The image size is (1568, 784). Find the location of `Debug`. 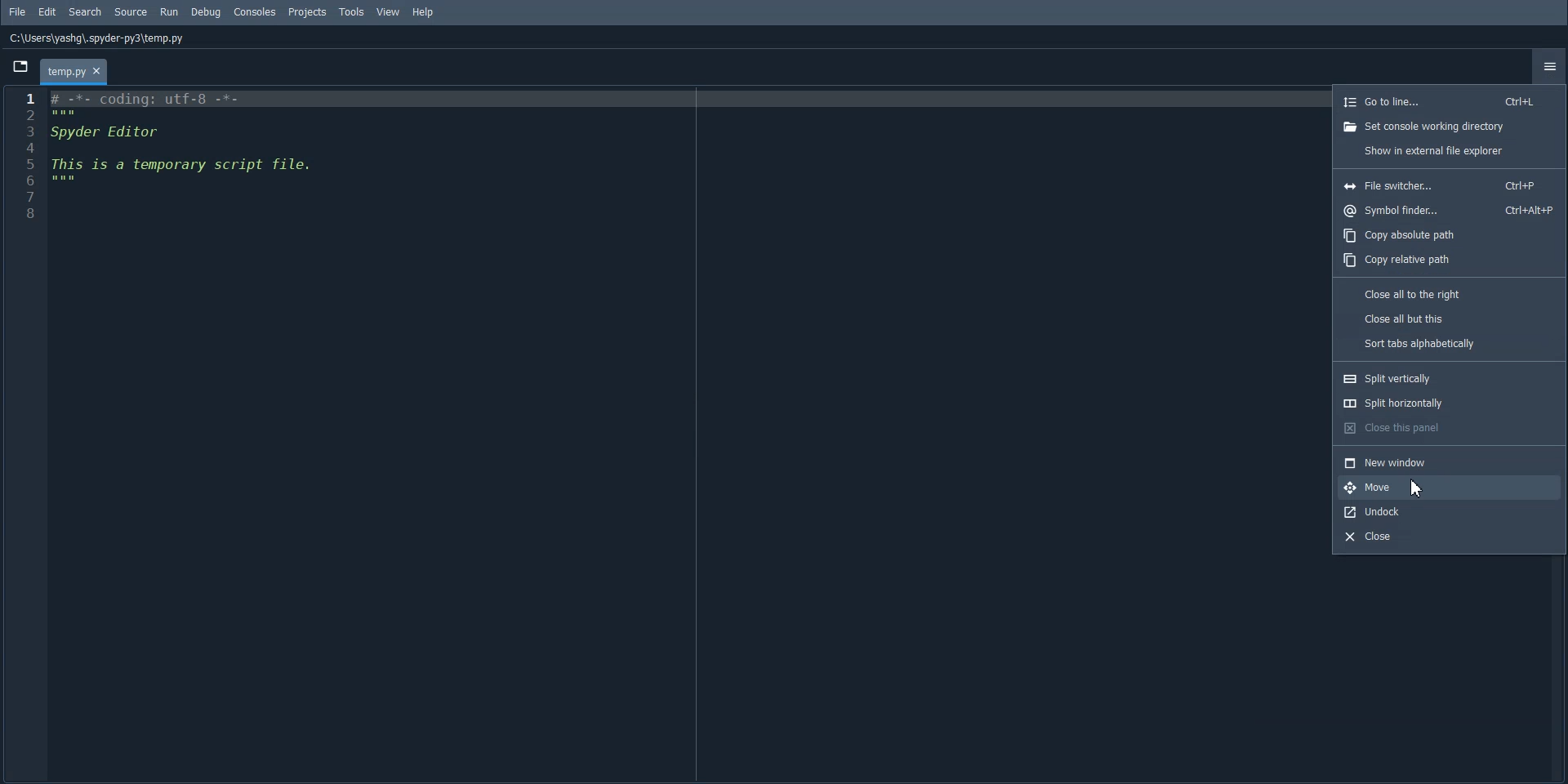

Debug is located at coordinates (206, 12).